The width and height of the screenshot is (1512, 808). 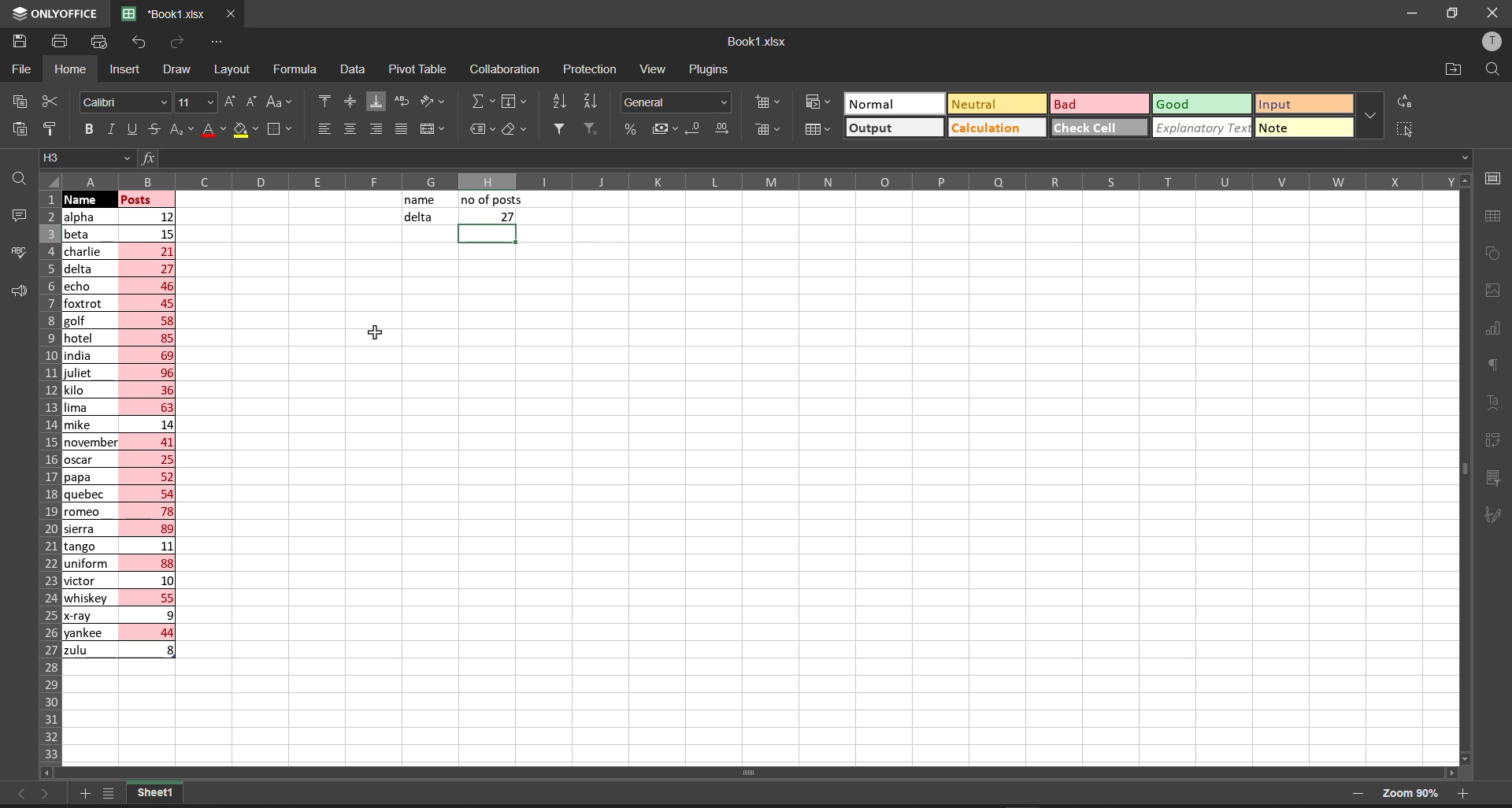 I want to click on row names, so click(x=46, y=480).